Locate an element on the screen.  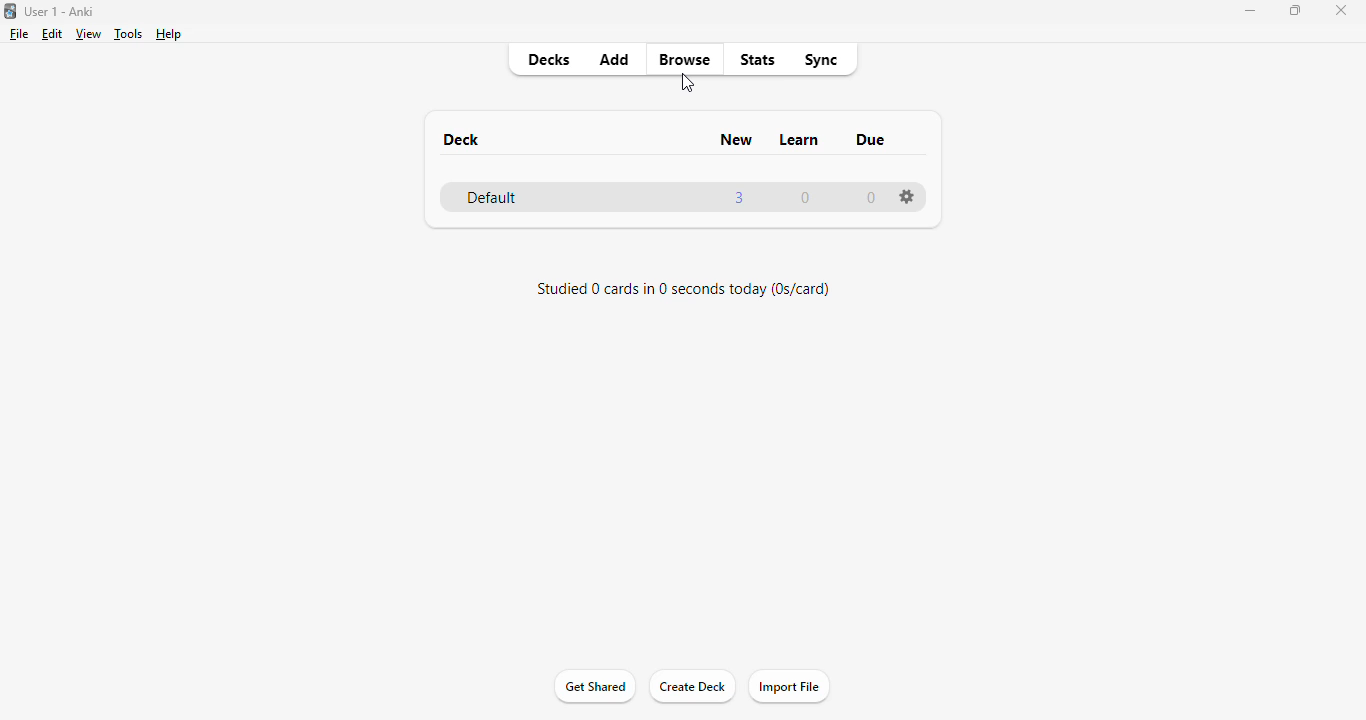
edit is located at coordinates (52, 34).